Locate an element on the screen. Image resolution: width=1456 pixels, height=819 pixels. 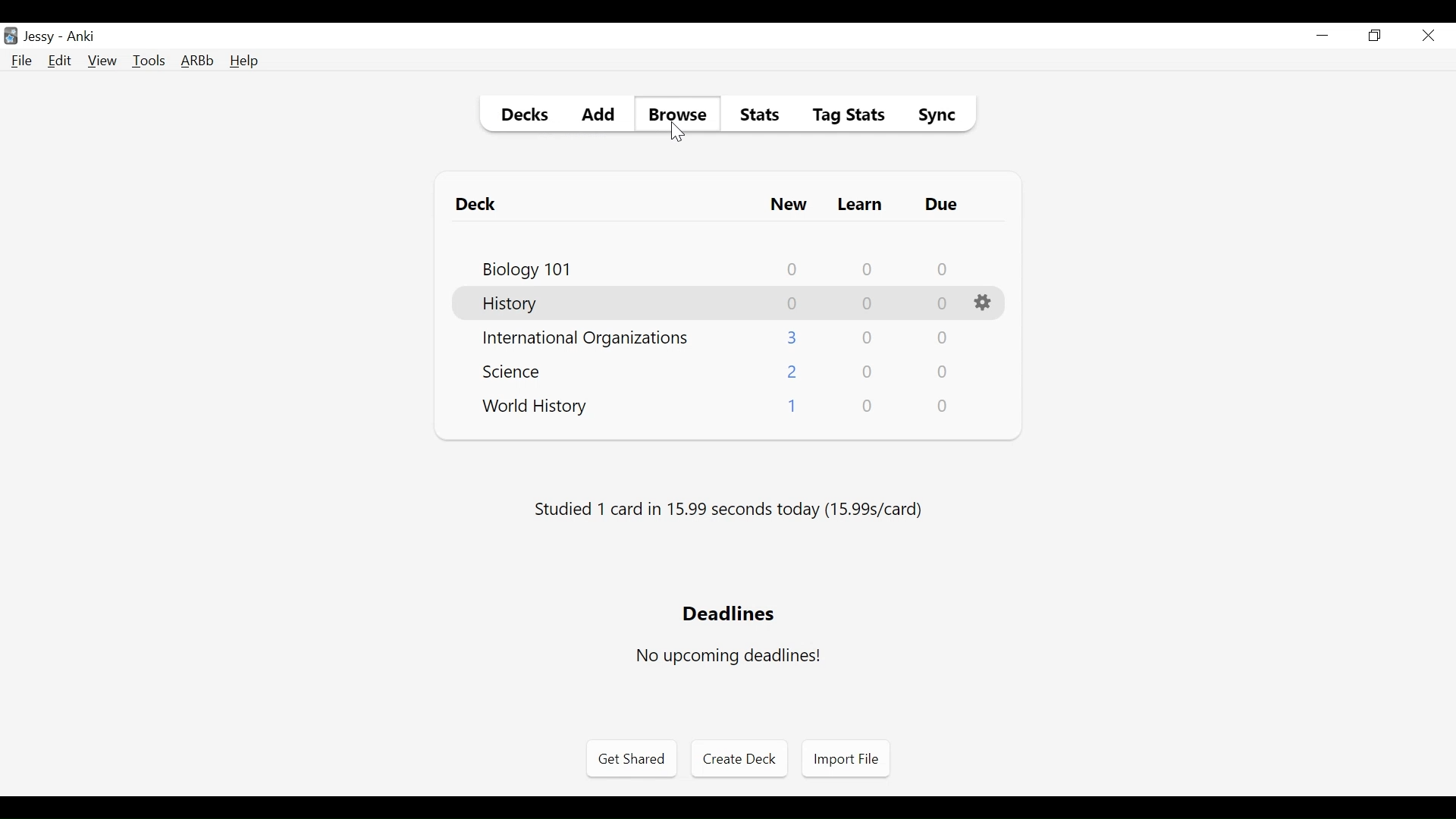
Deck Name is located at coordinates (521, 305).